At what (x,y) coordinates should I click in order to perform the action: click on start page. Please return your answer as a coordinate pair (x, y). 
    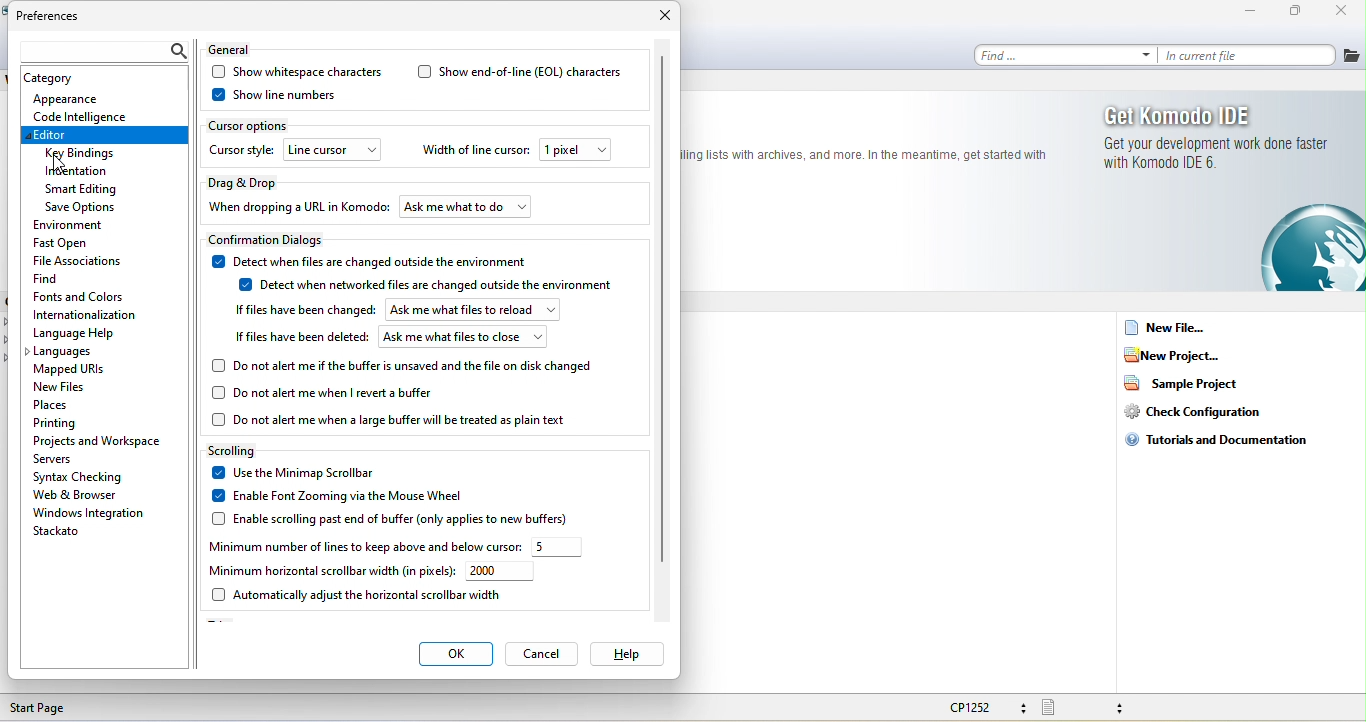
    Looking at the image, I should click on (43, 708).